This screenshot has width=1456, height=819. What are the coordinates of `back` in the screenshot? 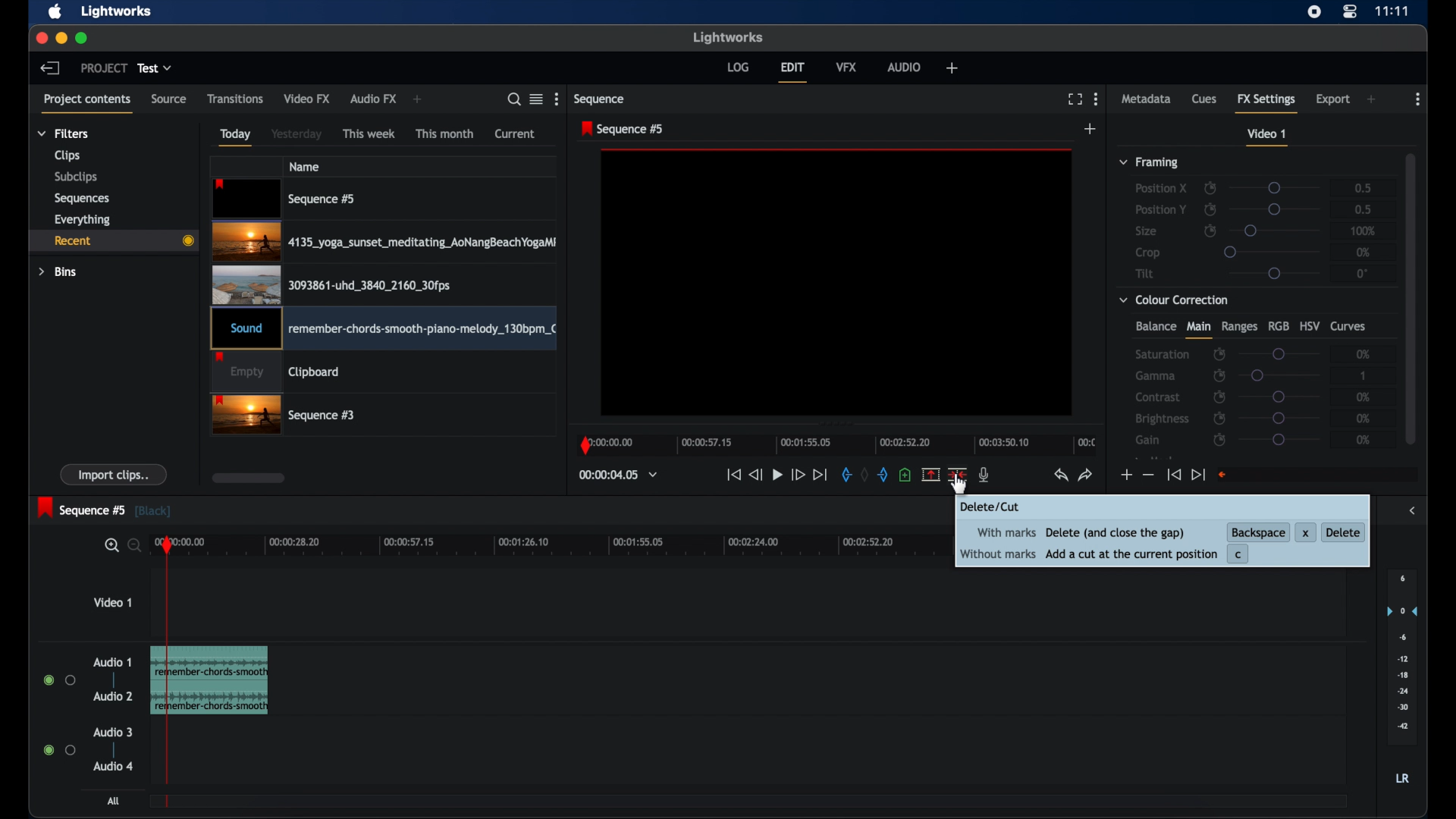 It's located at (50, 68).